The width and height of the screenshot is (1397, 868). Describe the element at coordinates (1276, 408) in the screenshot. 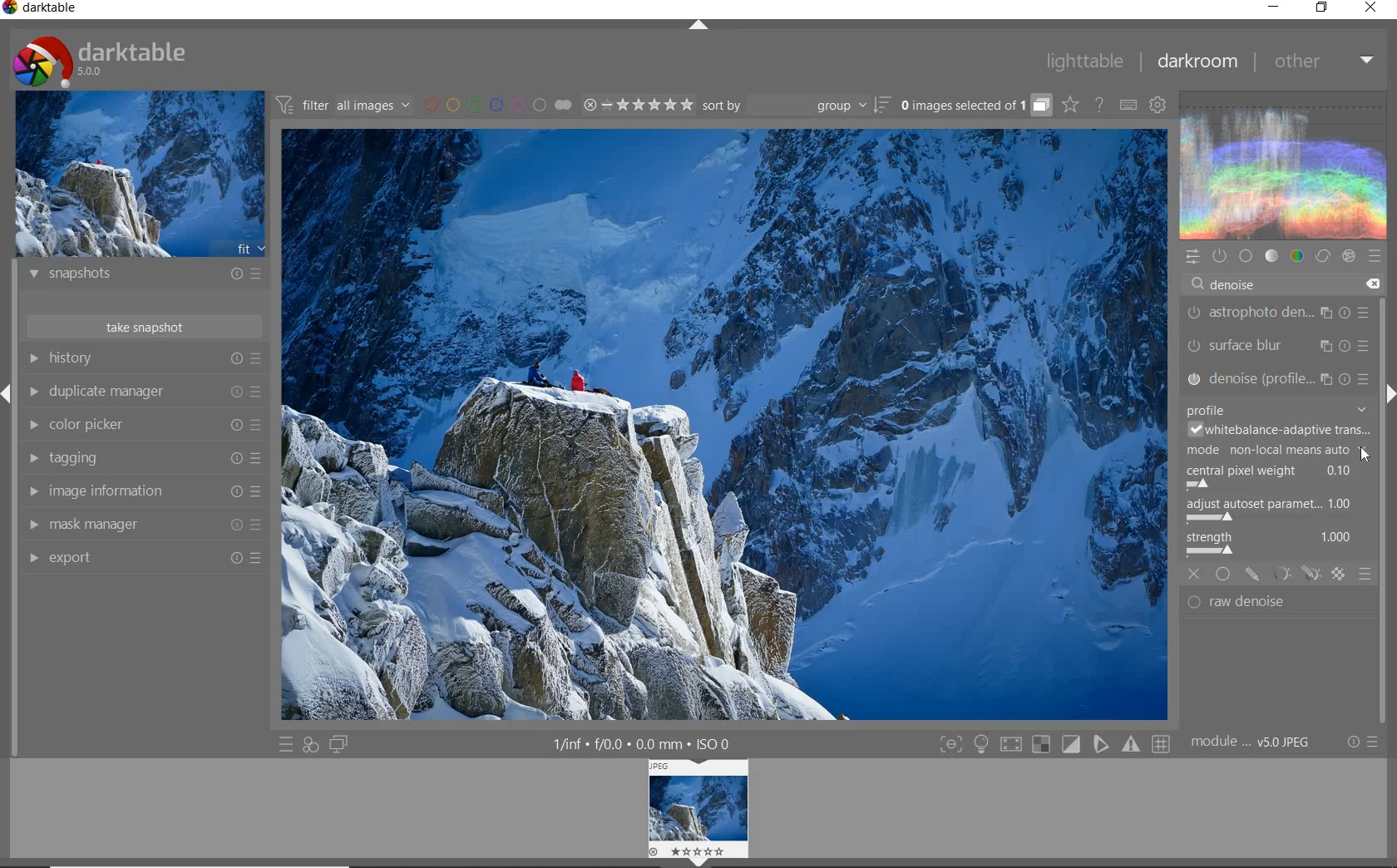

I see `profile` at that location.